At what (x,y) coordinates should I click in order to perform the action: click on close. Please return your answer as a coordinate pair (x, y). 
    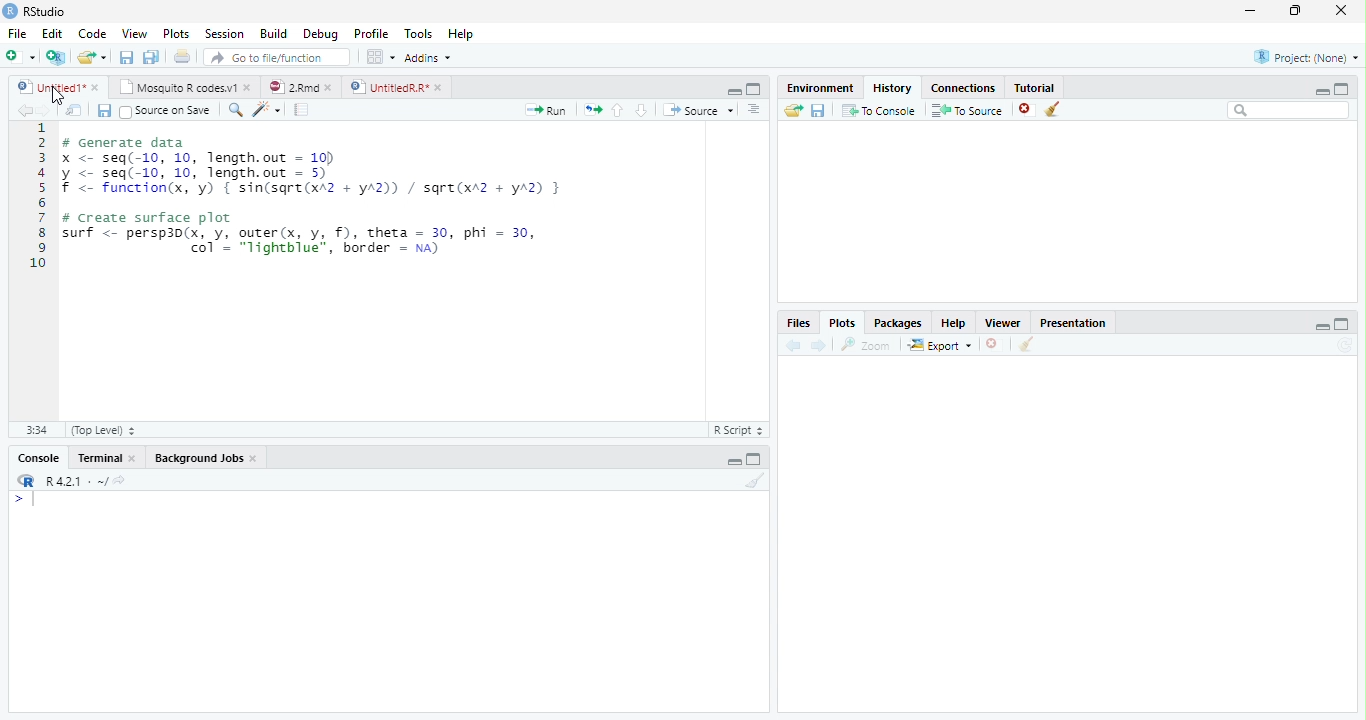
    Looking at the image, I should click on (329, 88).